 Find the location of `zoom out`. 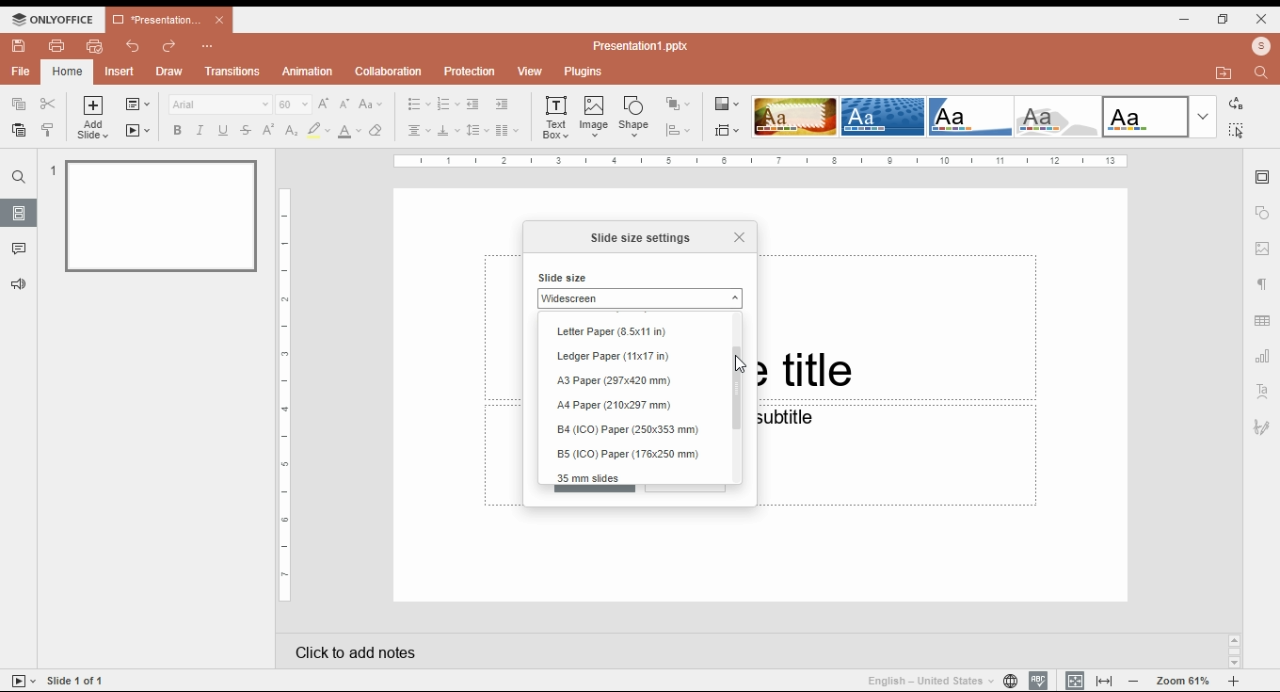

zoom out is located at coordinates (1134, 680).